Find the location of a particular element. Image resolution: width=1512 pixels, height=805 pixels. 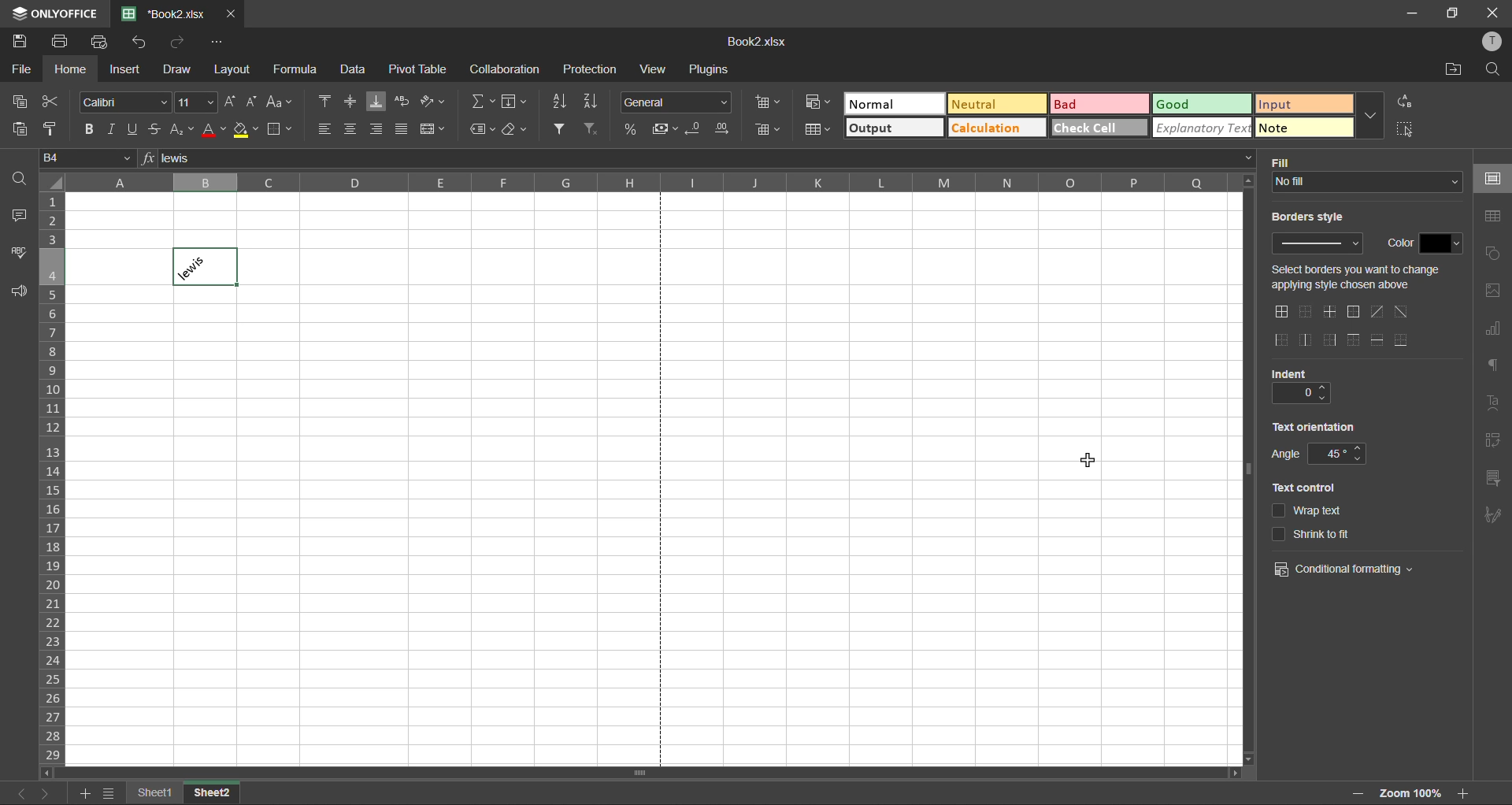

clear is located at coordinates (514, 129).